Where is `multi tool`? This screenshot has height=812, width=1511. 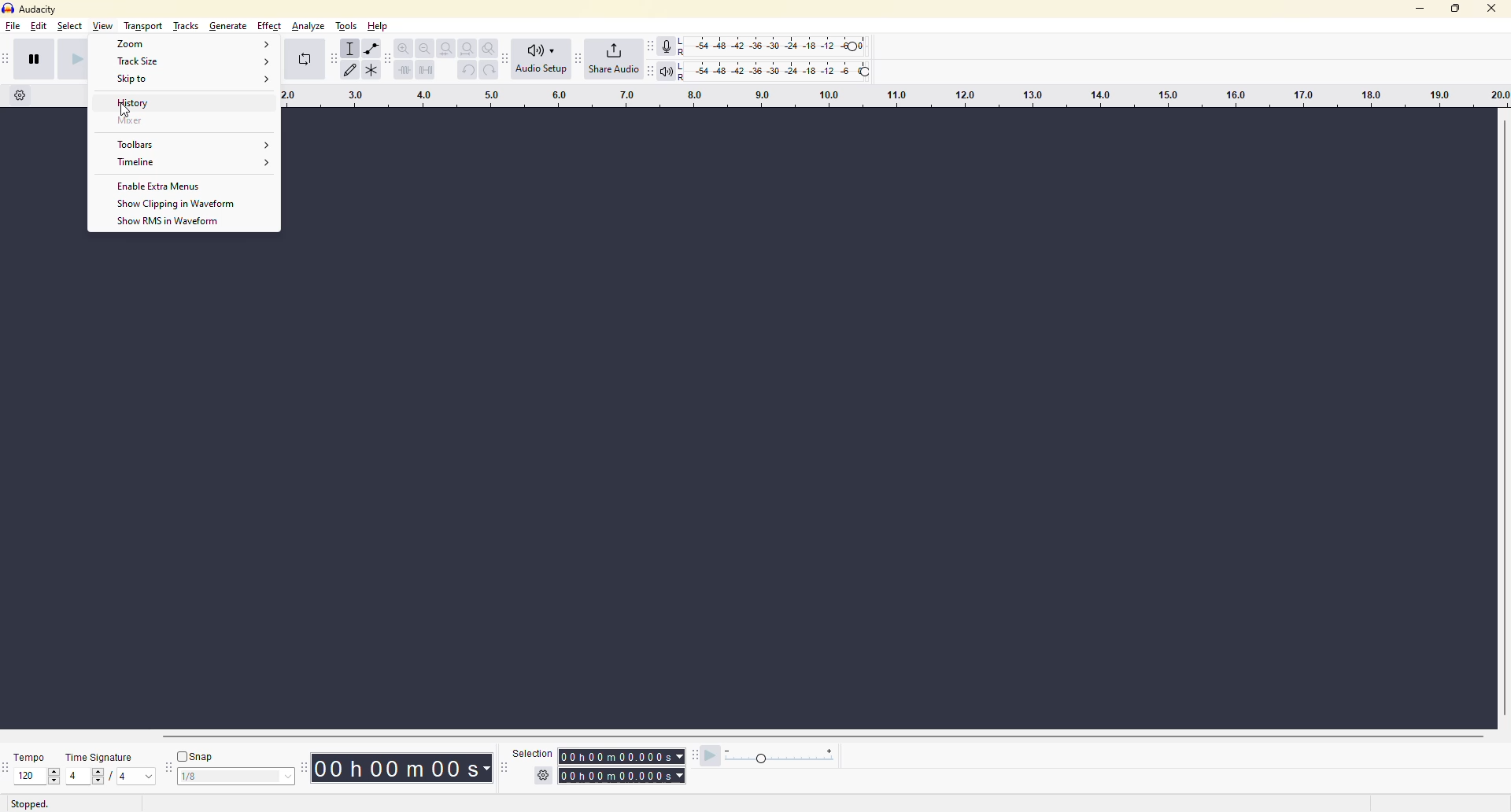
multi tool is located at coordinates (375, 72).